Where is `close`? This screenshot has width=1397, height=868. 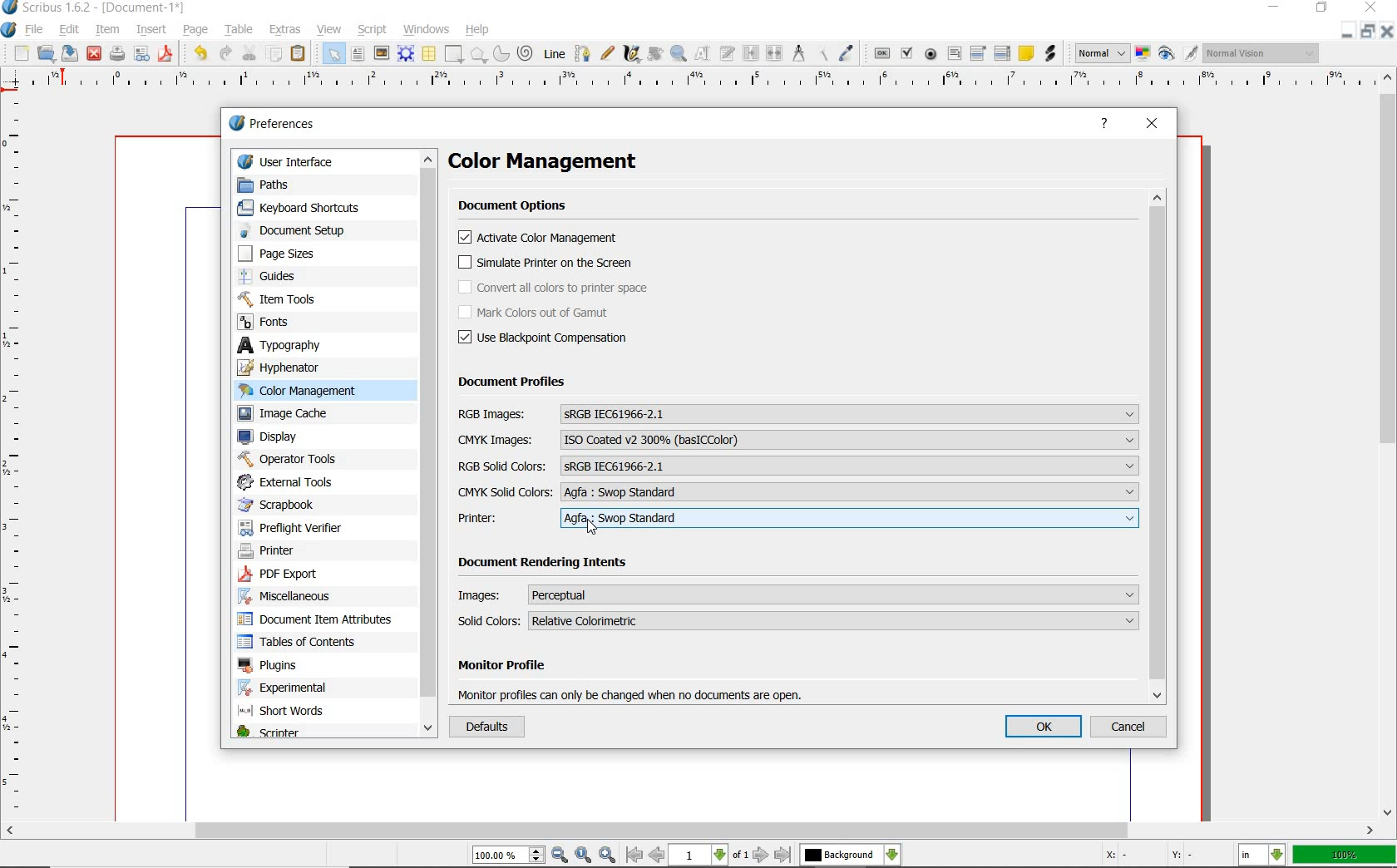
close is located at coordinates (1371, 8).